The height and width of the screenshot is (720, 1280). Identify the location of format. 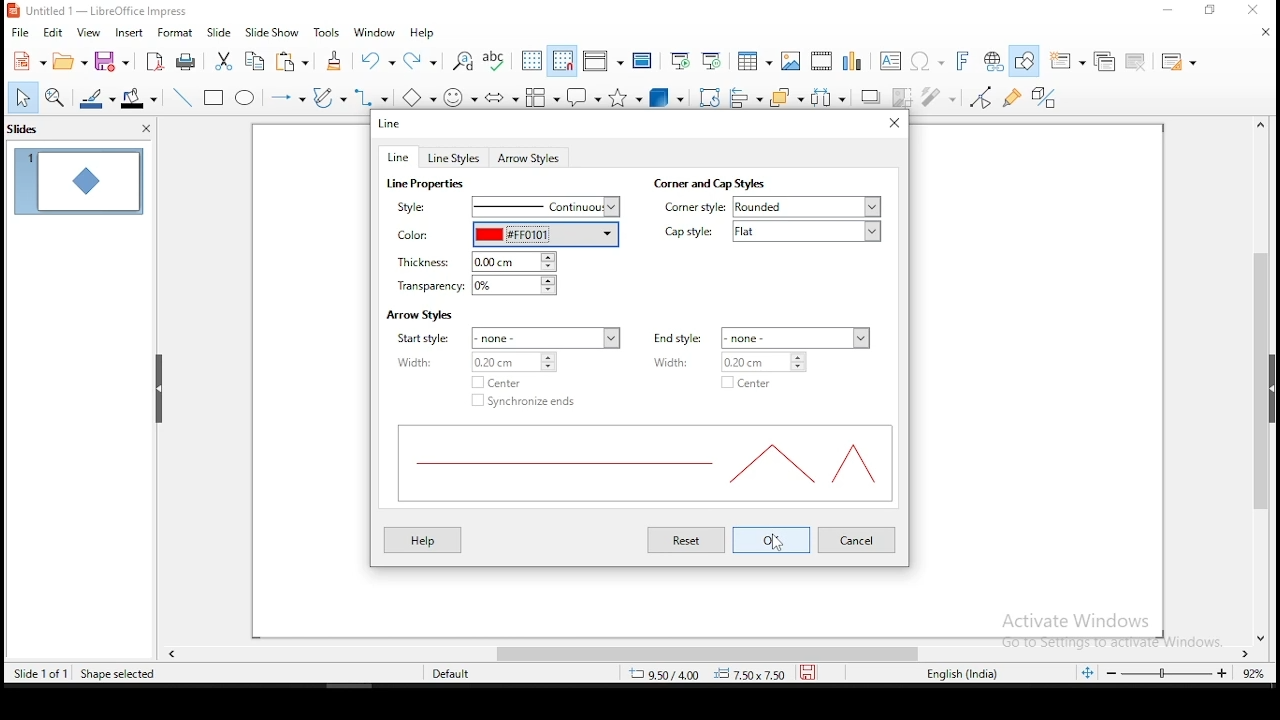
(179, 31).